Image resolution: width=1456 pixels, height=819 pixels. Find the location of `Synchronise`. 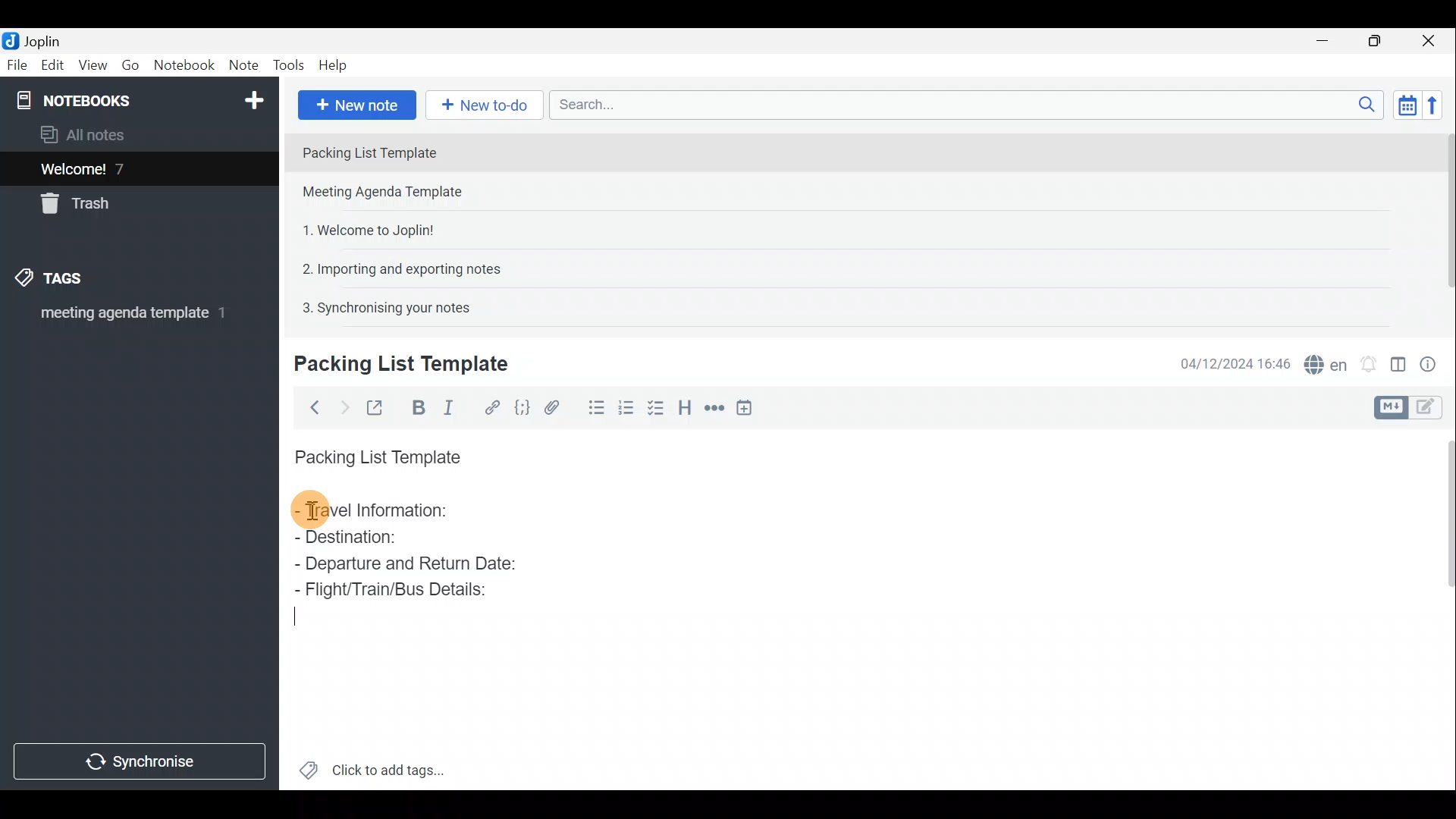

Synchronise is located at coordinates (142, 764).